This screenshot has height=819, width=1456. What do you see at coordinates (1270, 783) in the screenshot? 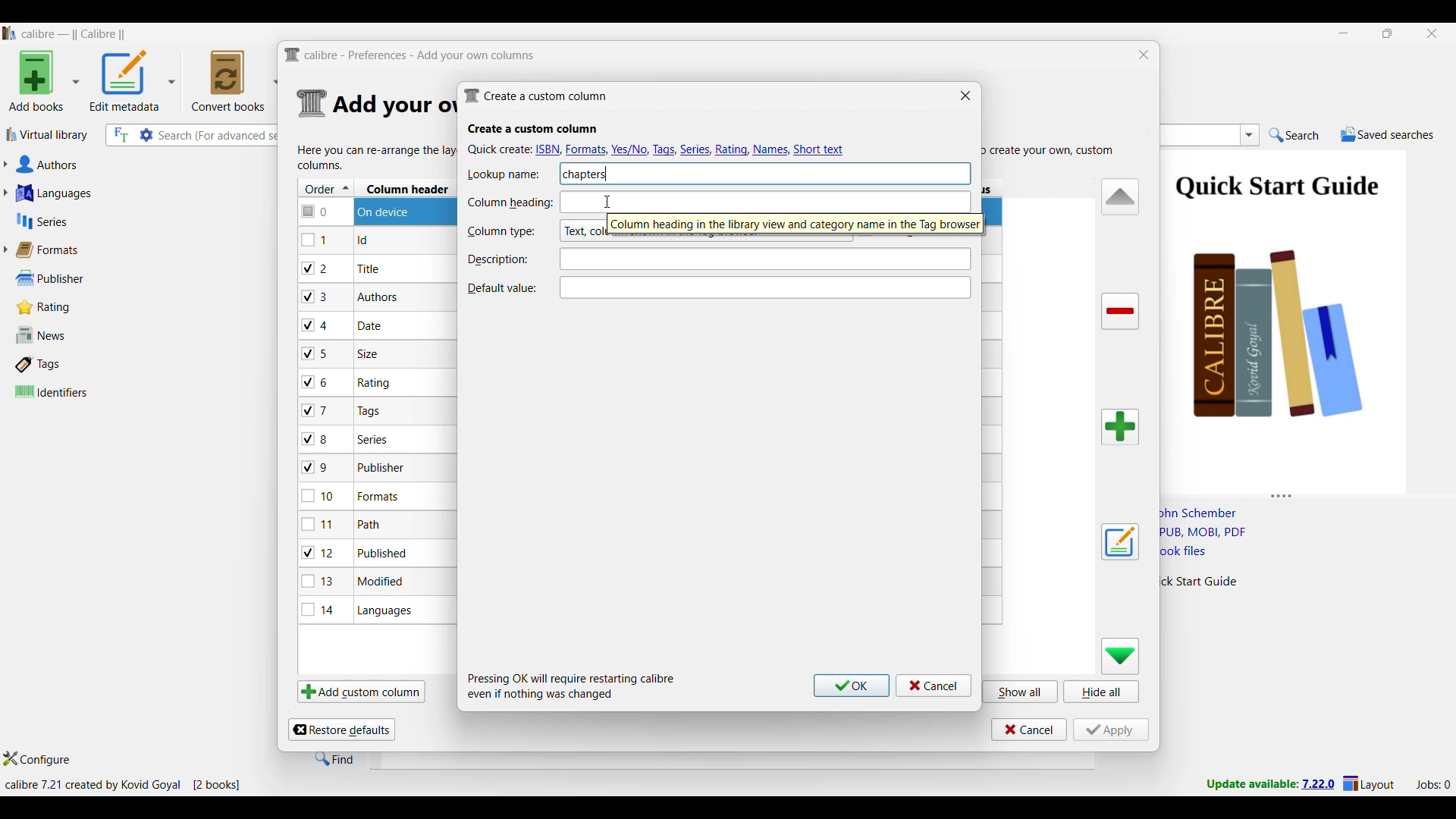
I see `New version update notifcation` at bounding box center [1270, 783].